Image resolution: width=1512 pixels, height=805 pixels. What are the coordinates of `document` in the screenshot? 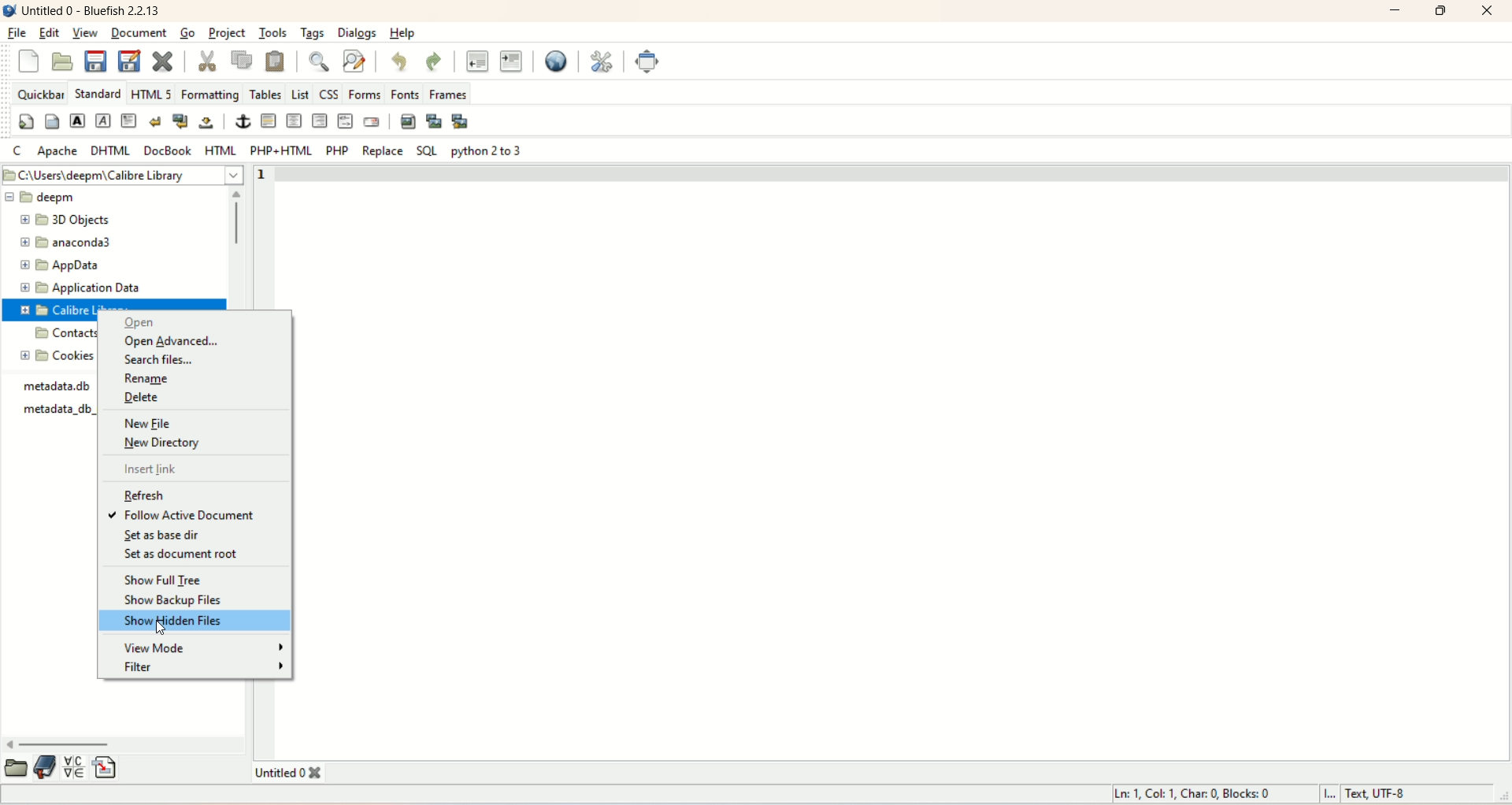 It's located at (137, 34).